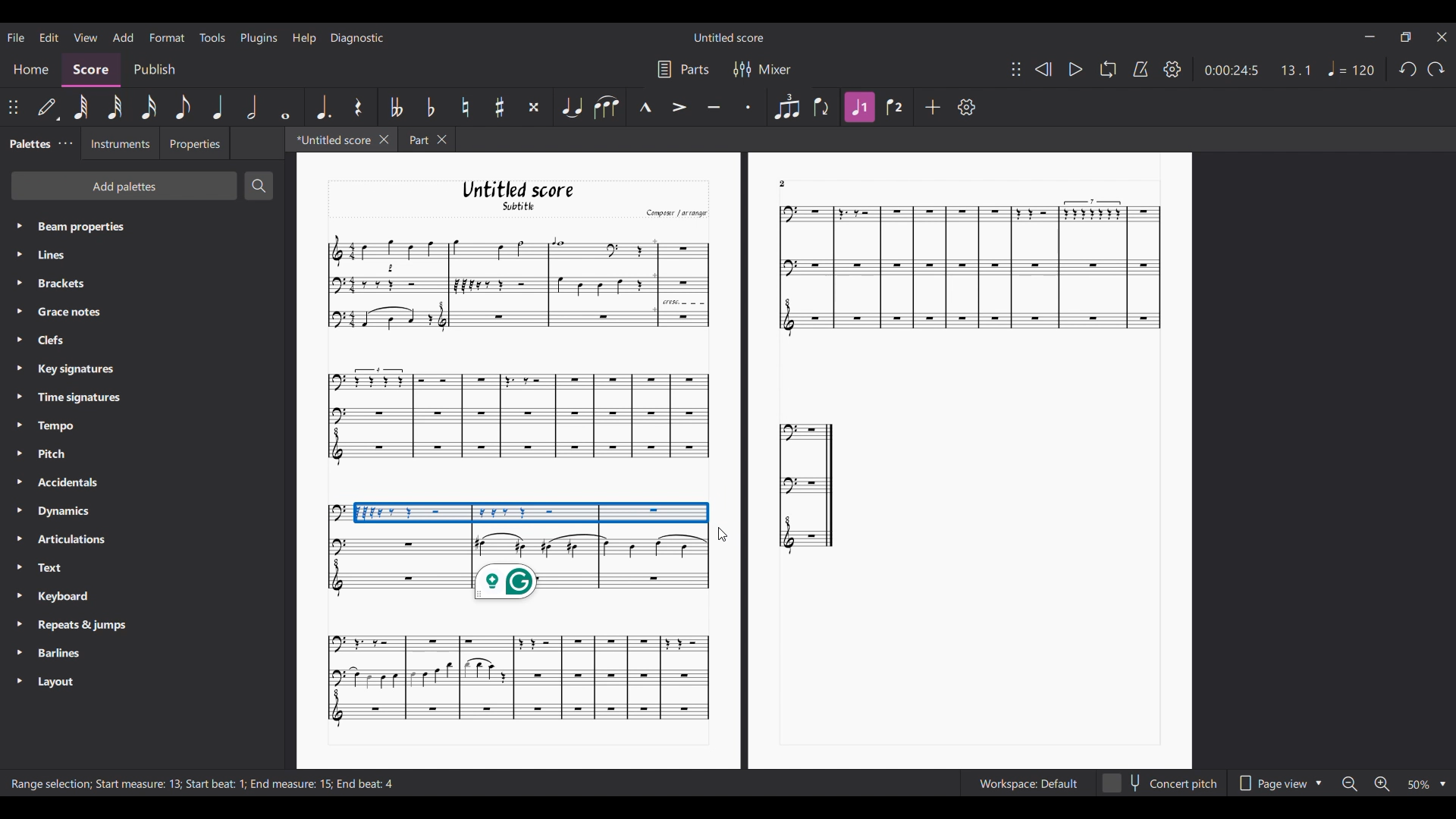 The height and width of the screenshot is (819, 1456). I want to click on 64th note, so click(81, 107).